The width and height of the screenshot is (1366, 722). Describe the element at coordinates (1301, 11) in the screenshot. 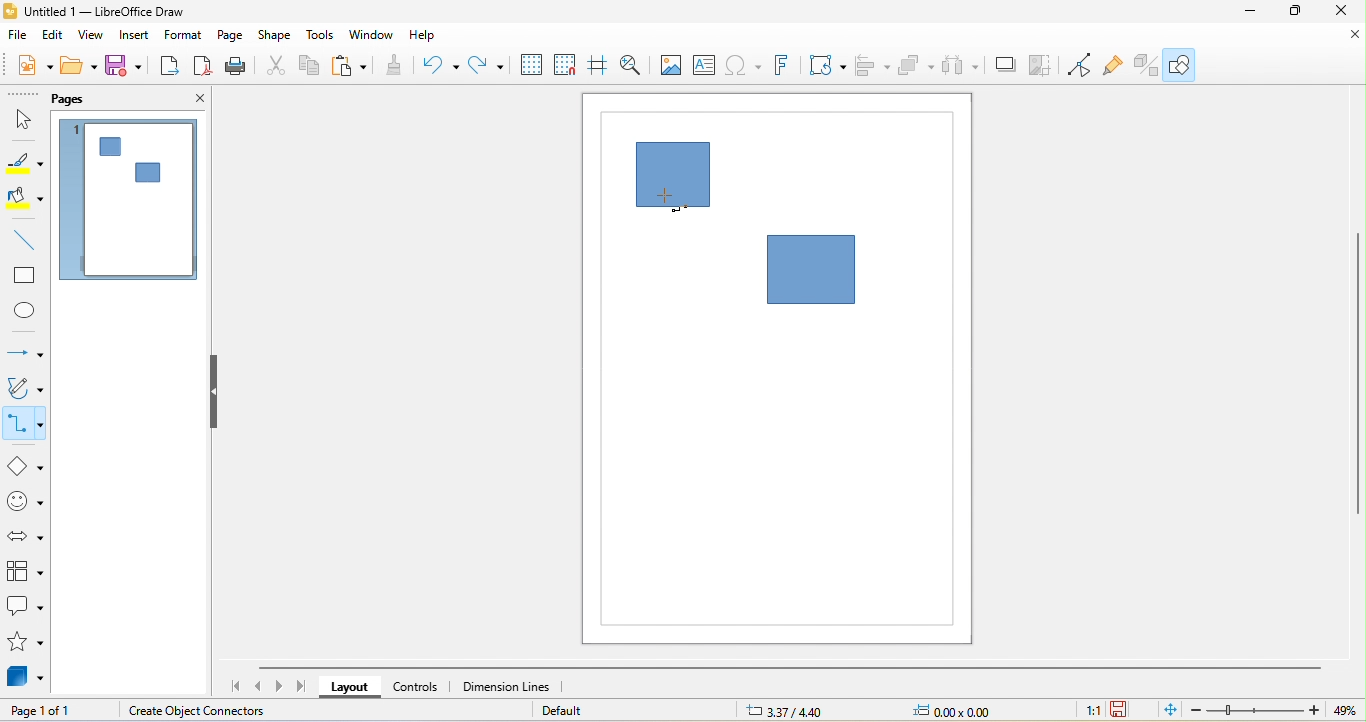

I see `maximize` at that location.